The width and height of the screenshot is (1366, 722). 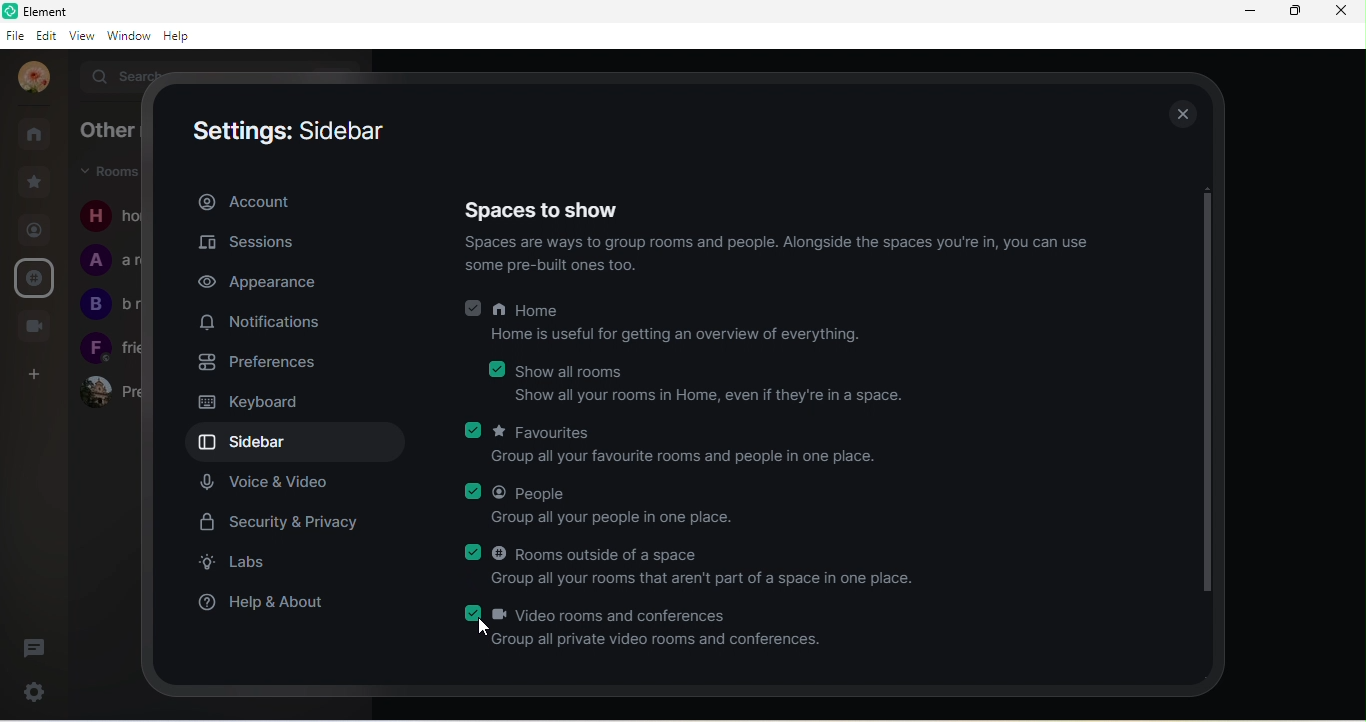 I want to click on profile photo, so click(x=31, y=78).